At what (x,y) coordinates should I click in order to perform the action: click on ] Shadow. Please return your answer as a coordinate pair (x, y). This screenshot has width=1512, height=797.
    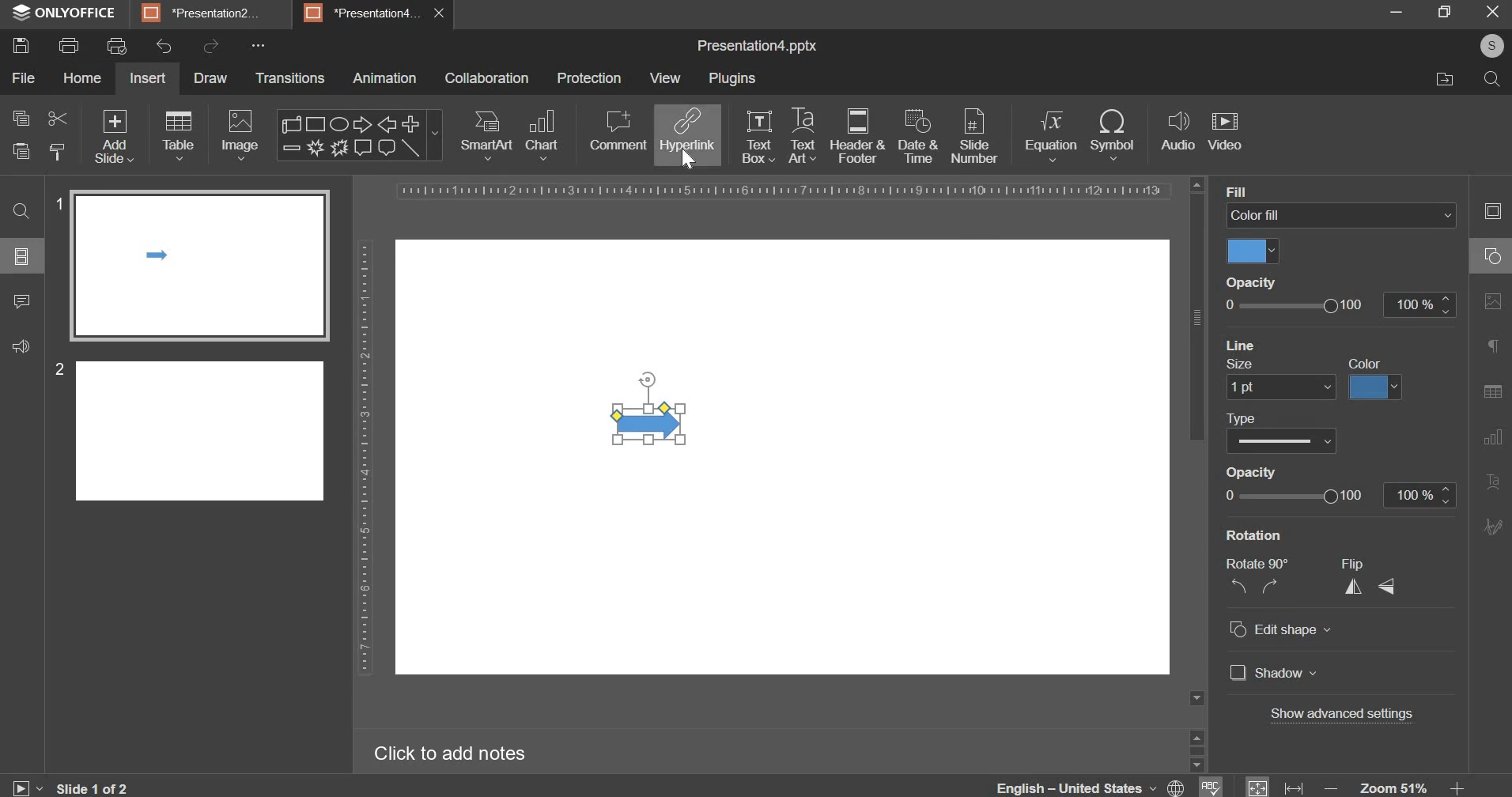
    Looking at the image, I should click on (1270, 673).